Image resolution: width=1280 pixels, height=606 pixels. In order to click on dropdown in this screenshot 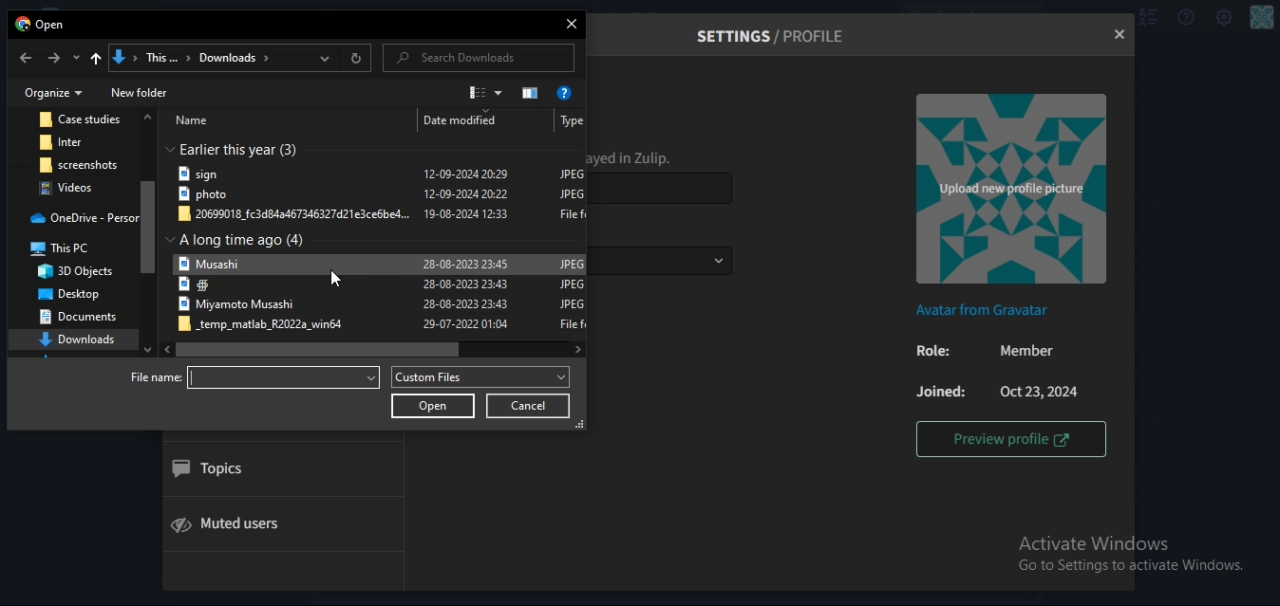, I will do `click(718, 261)`.